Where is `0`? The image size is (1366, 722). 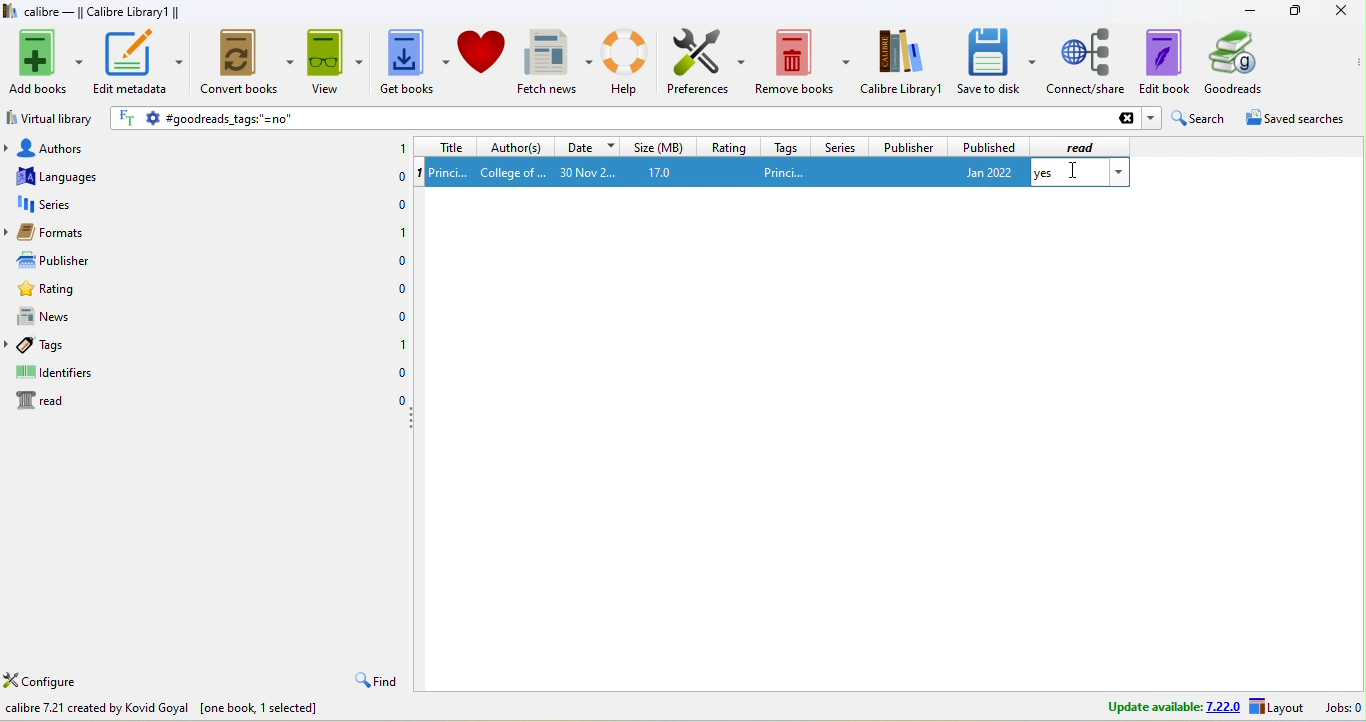 0 is located at coordinates (397, 205).